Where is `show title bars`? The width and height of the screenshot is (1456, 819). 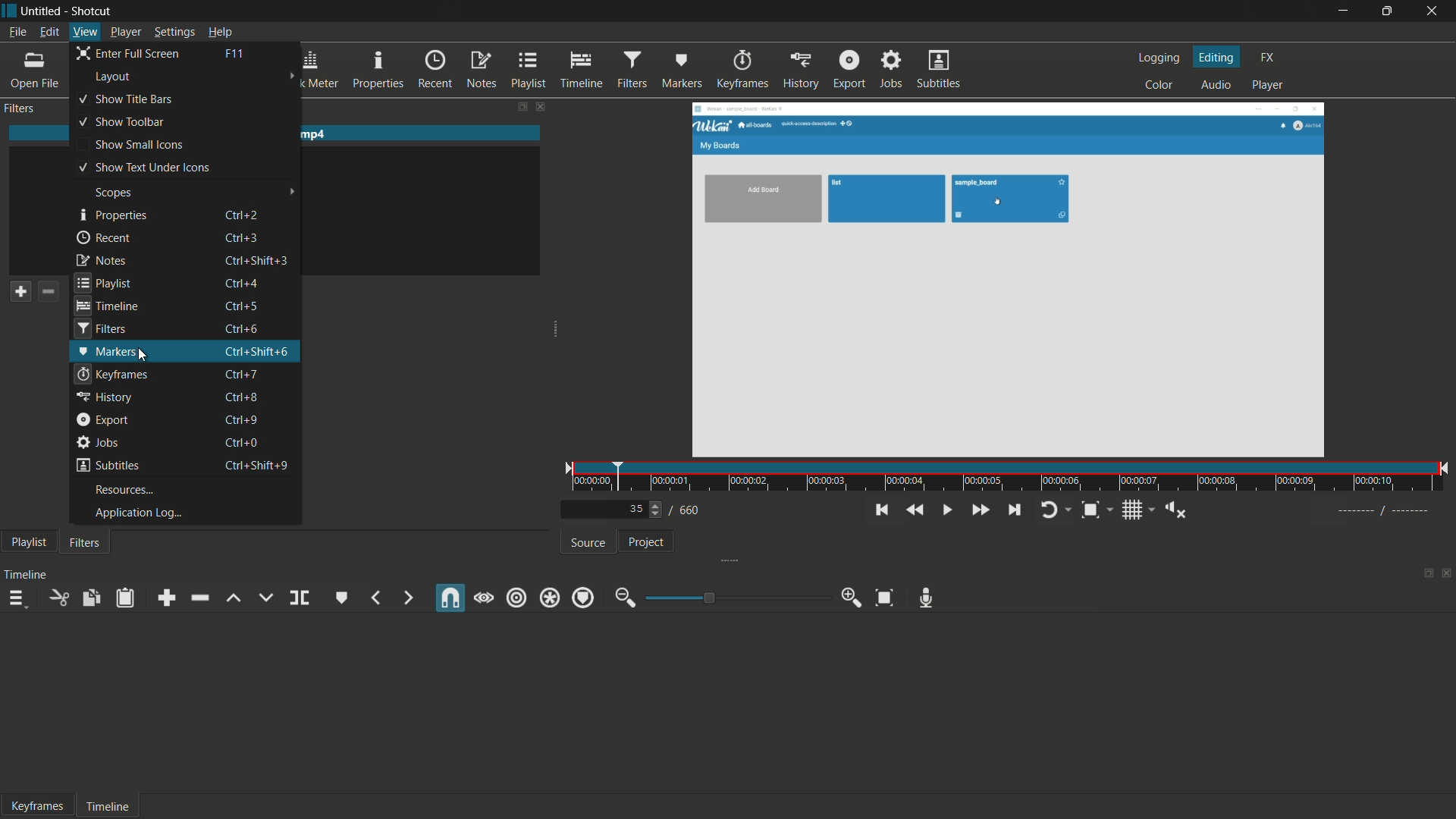
show title bars is located at coordinates (124, 100).